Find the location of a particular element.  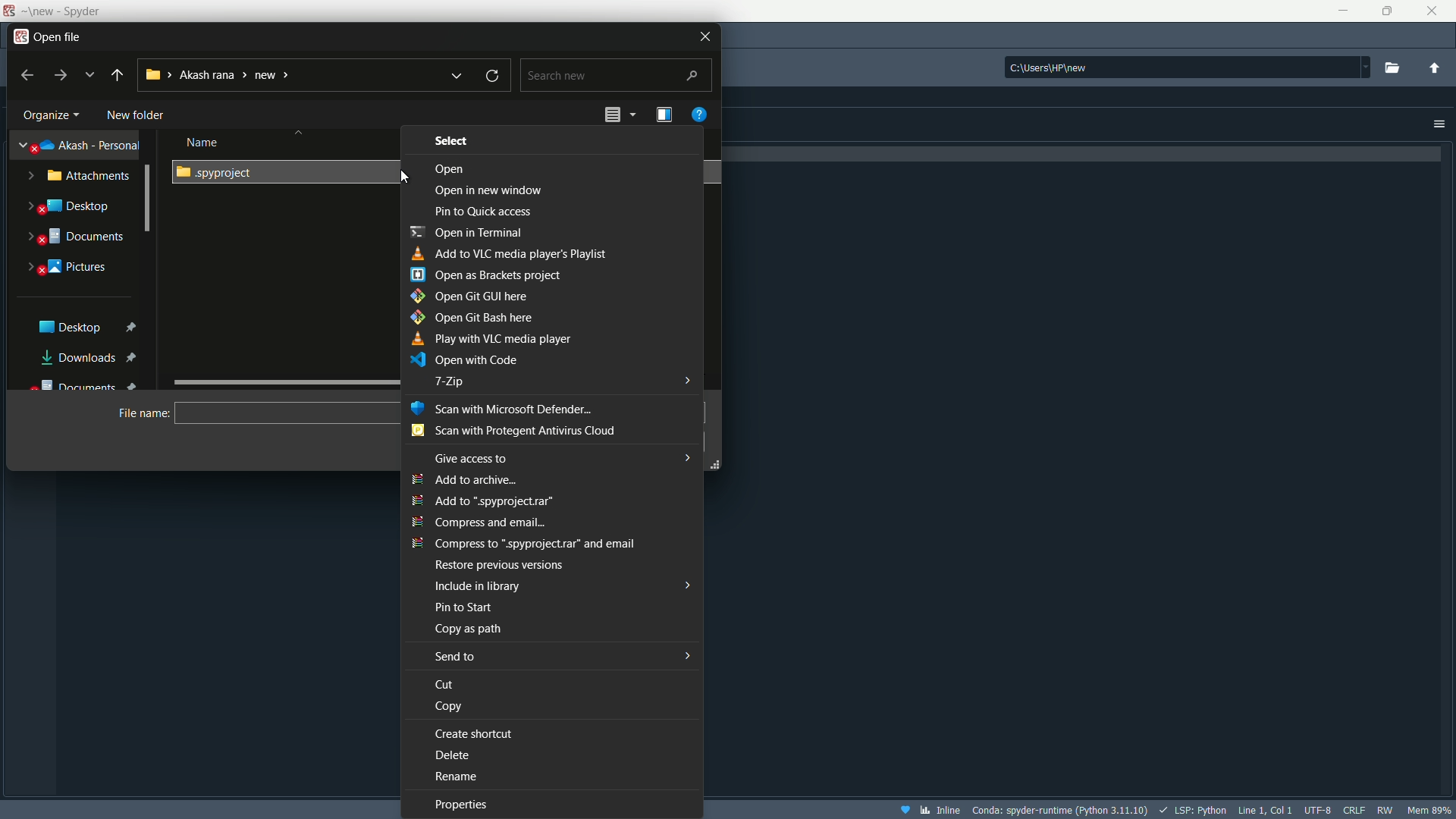

back is located at coordinates (26, 77).